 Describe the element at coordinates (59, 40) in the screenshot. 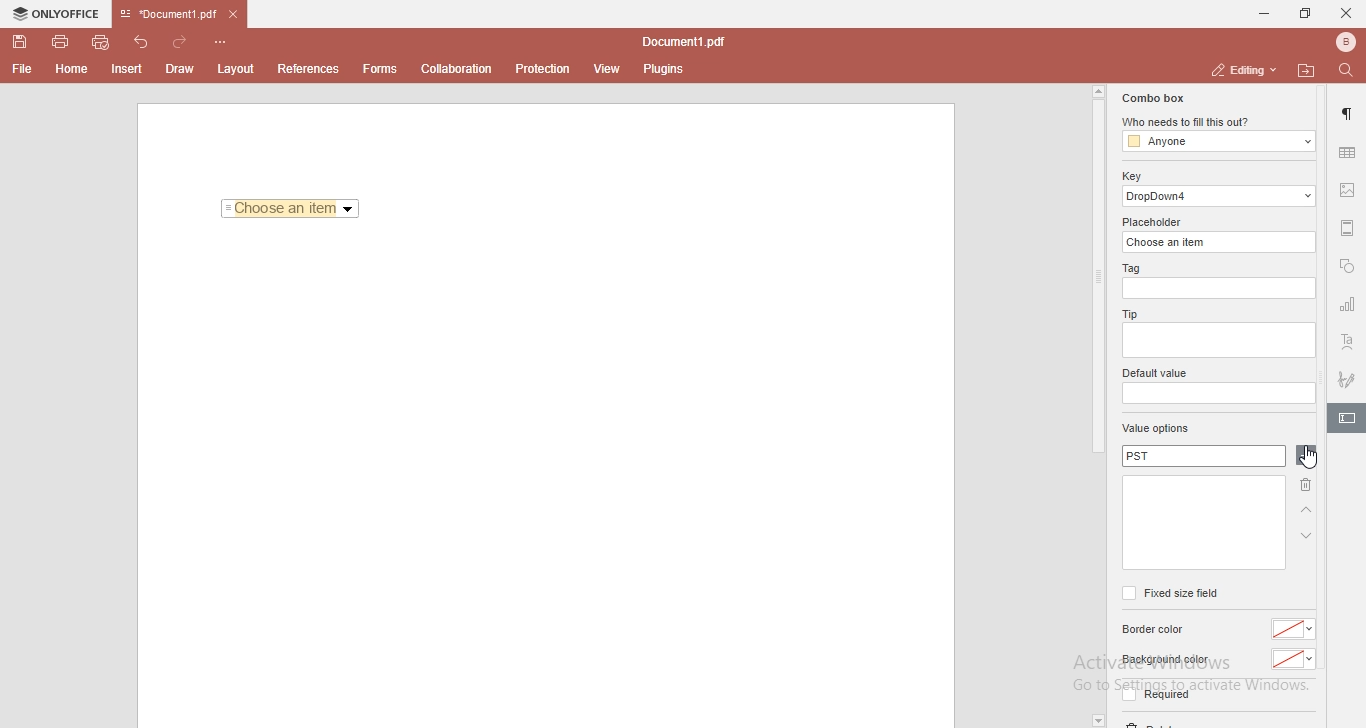

I see `print` at that location.